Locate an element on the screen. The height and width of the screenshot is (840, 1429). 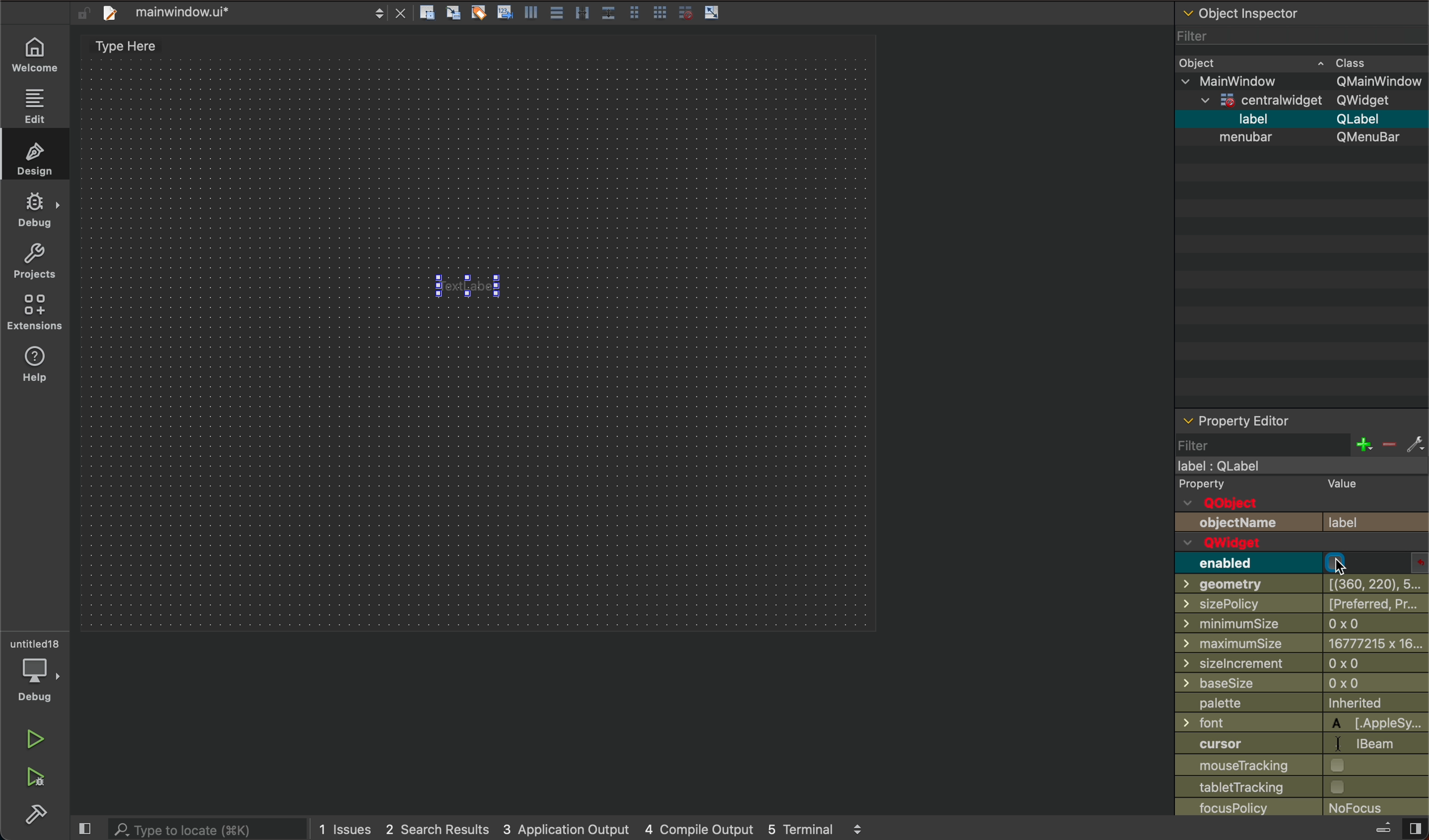
focus is disabled is located at coordinates (473, 283).